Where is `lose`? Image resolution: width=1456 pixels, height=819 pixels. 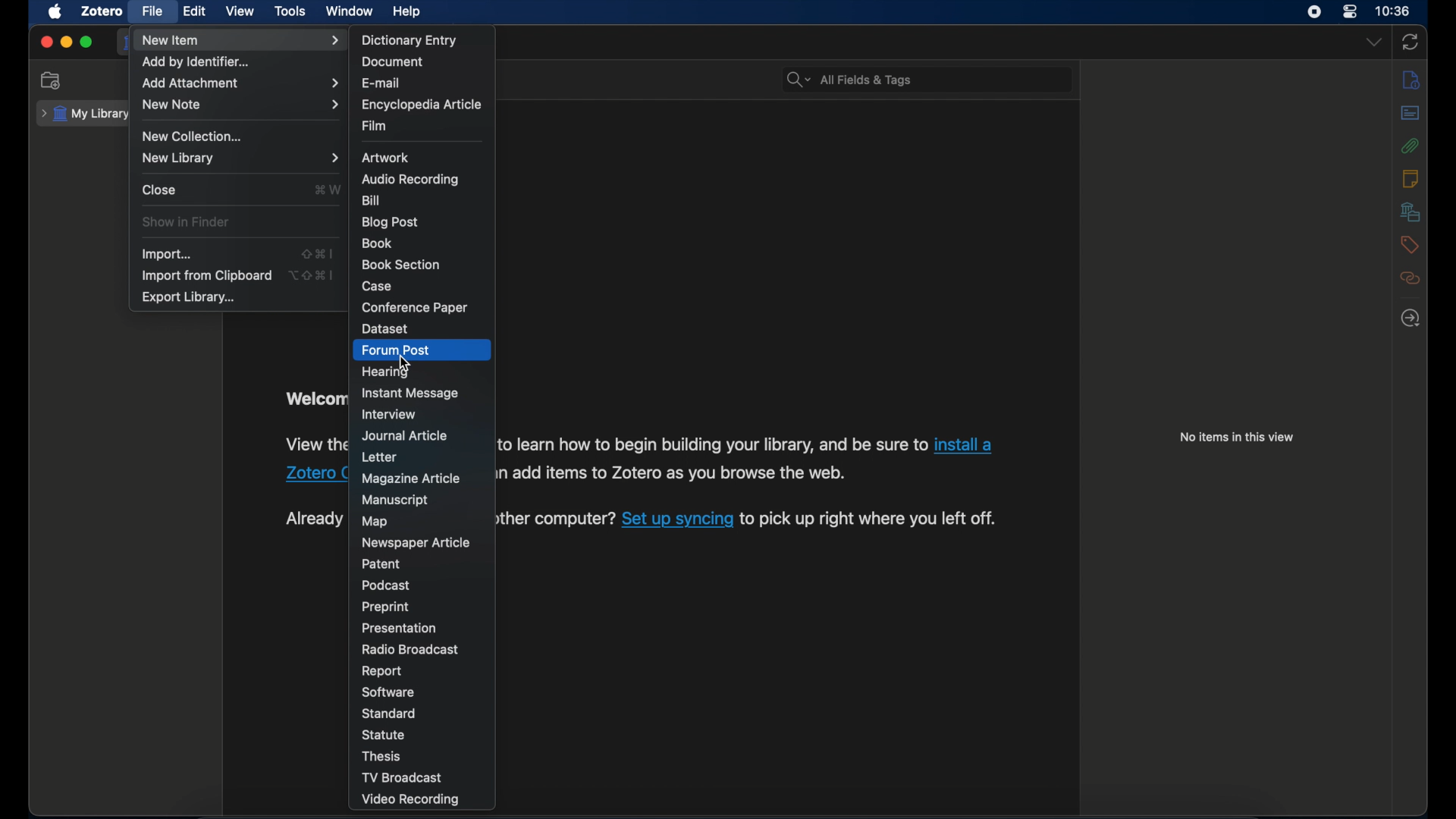
lose is located at coordinates (158, 189).